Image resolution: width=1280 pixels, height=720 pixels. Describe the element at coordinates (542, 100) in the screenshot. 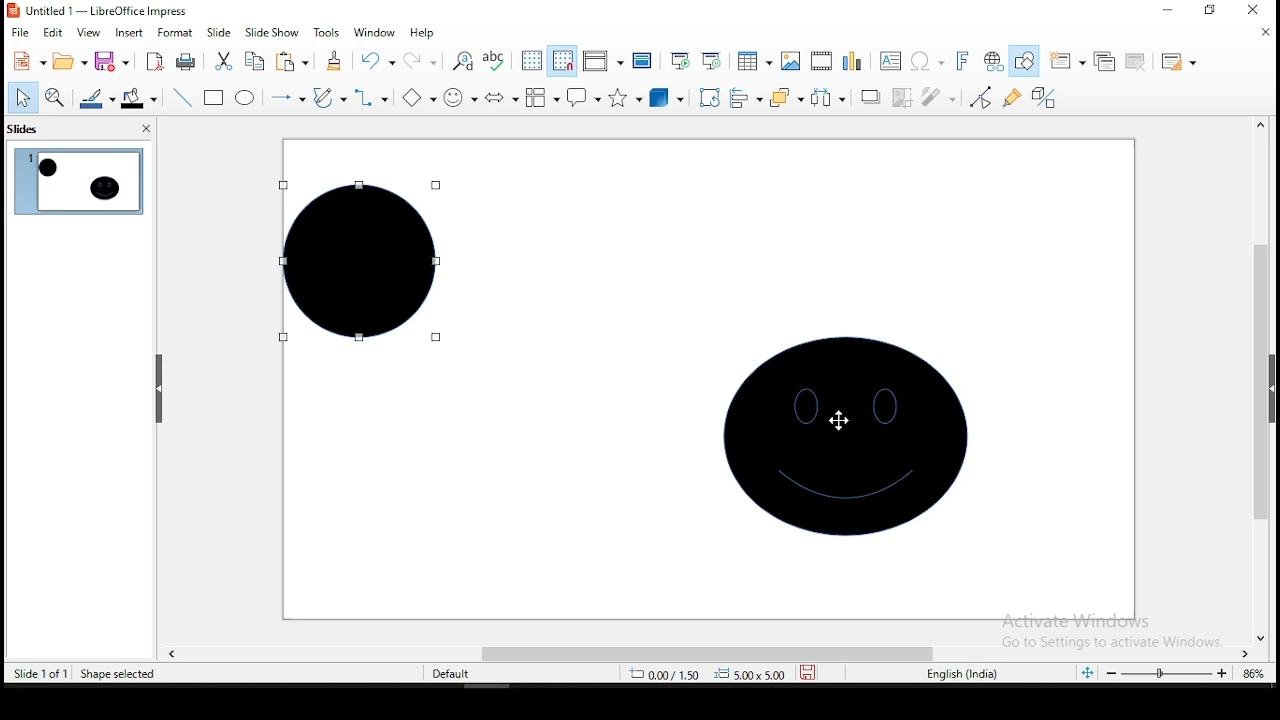

I see `flowchart` at that location.